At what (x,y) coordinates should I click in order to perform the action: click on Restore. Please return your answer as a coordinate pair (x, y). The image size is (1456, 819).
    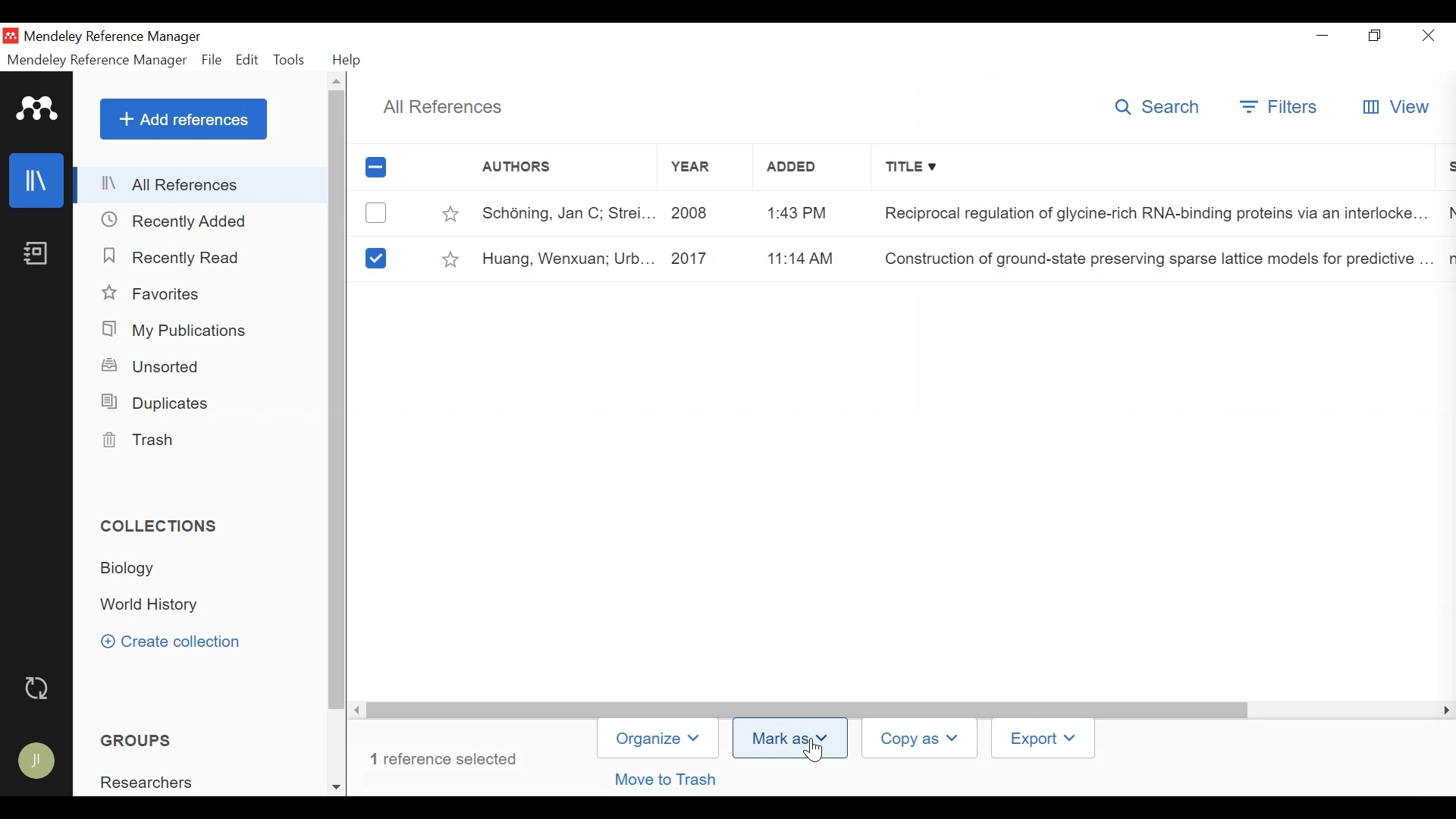
    Looking at the image, I should click on (1377, 36).